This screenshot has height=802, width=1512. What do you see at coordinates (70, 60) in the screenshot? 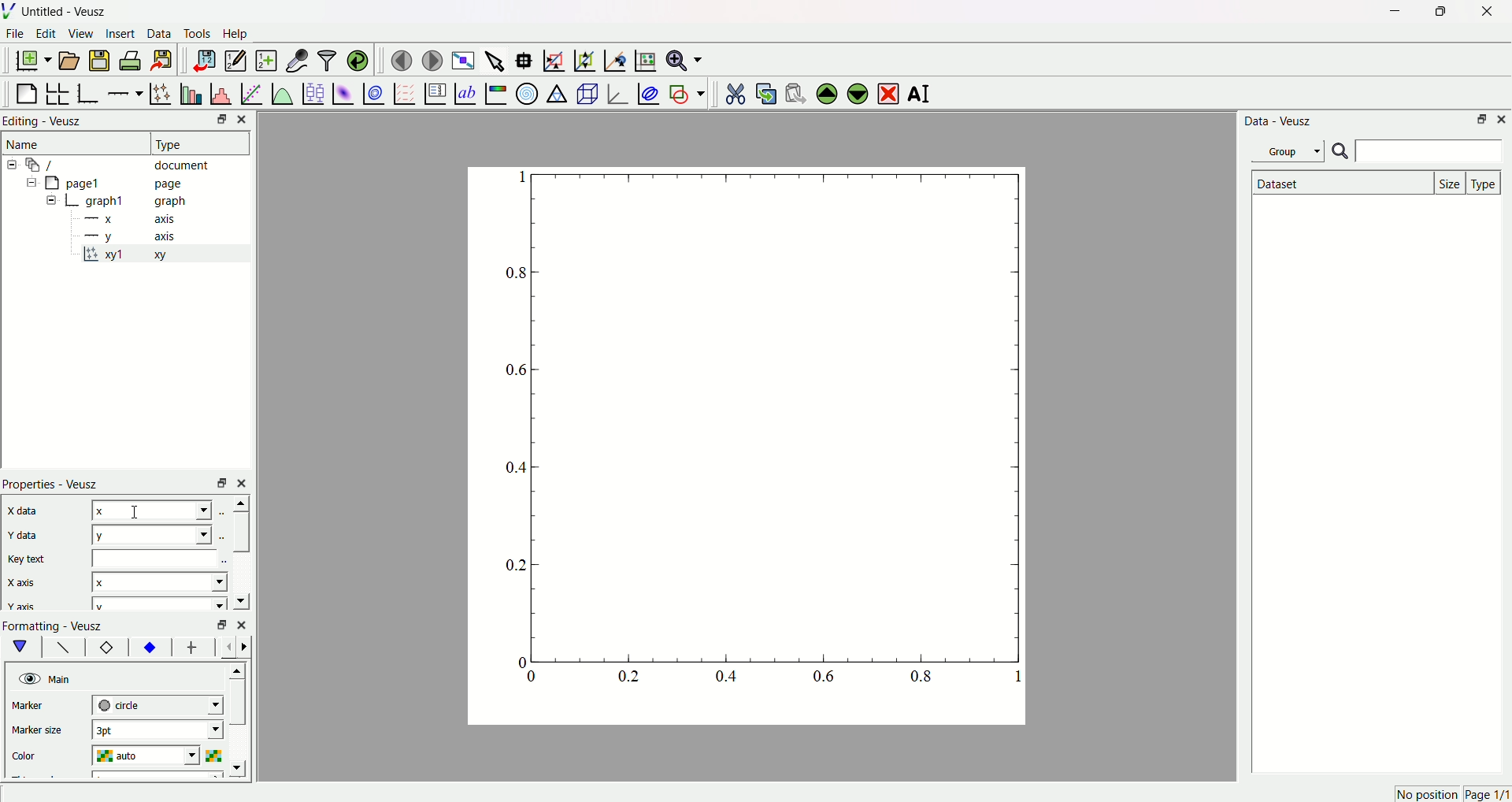
I see `open document` at bounding box center [70, 60].